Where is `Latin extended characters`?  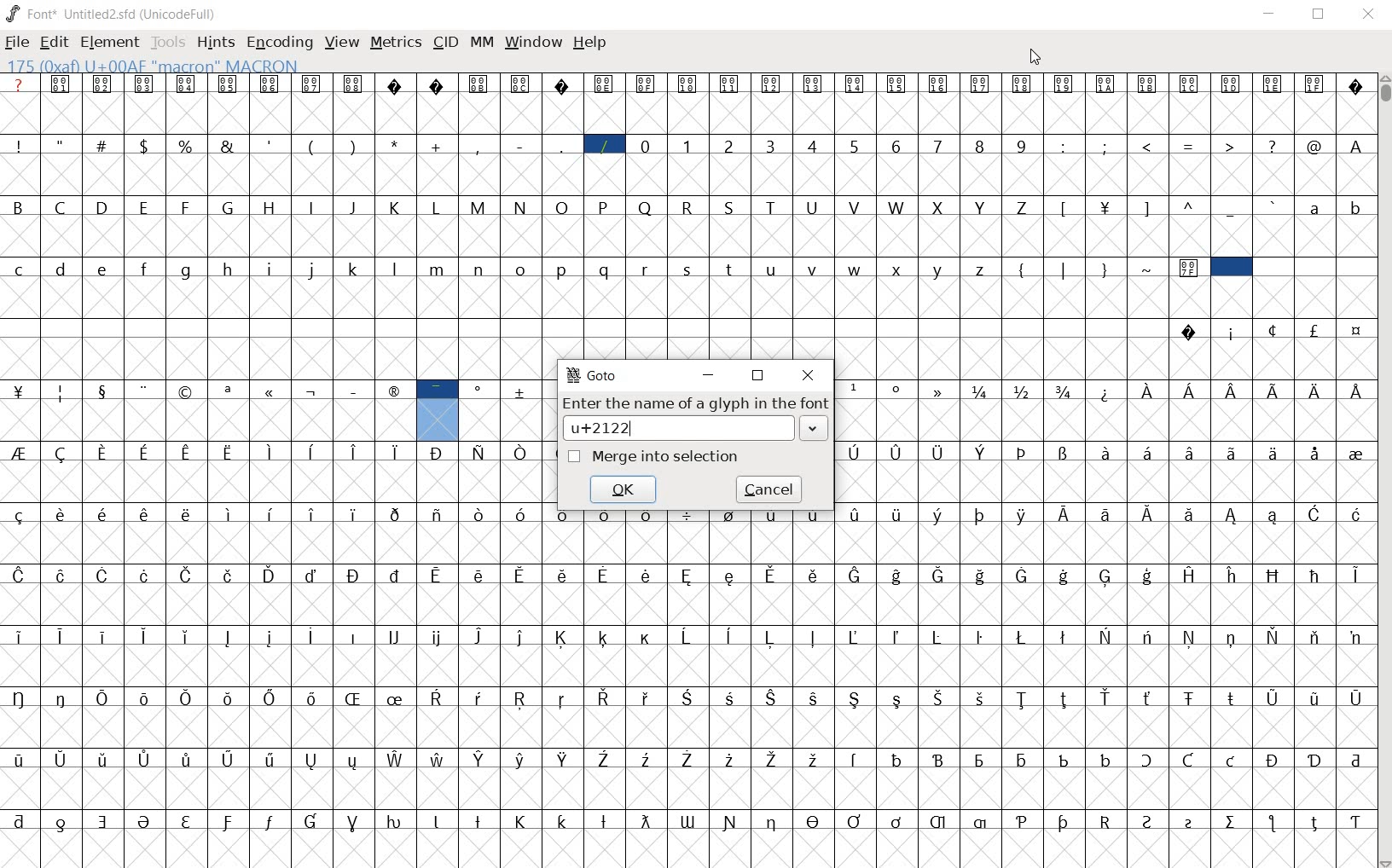
Latin extended characters is located at coordinates (1252, 410).